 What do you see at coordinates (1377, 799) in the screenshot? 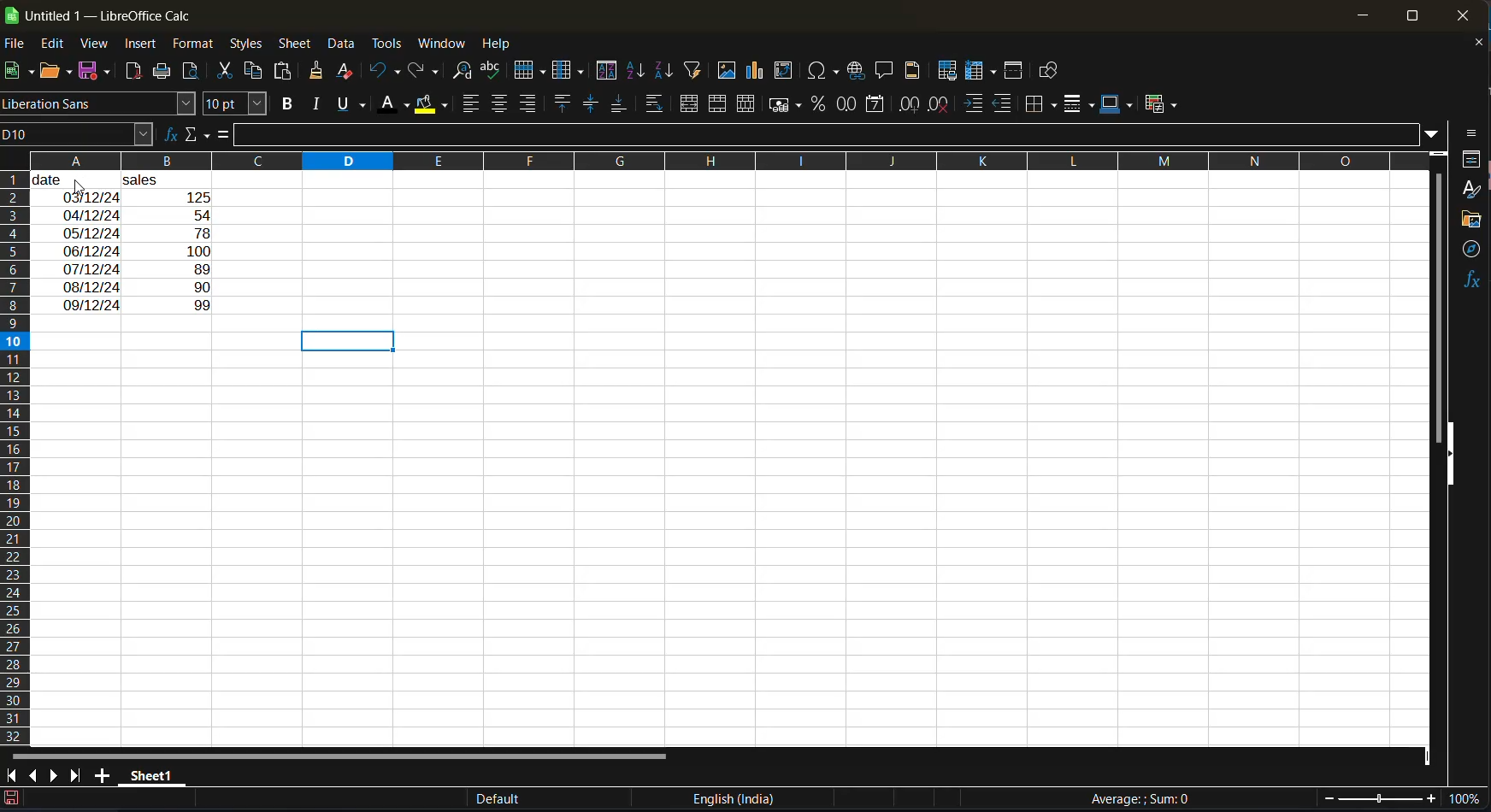
I see `zoom slider` at bounding box center [1377, 799].